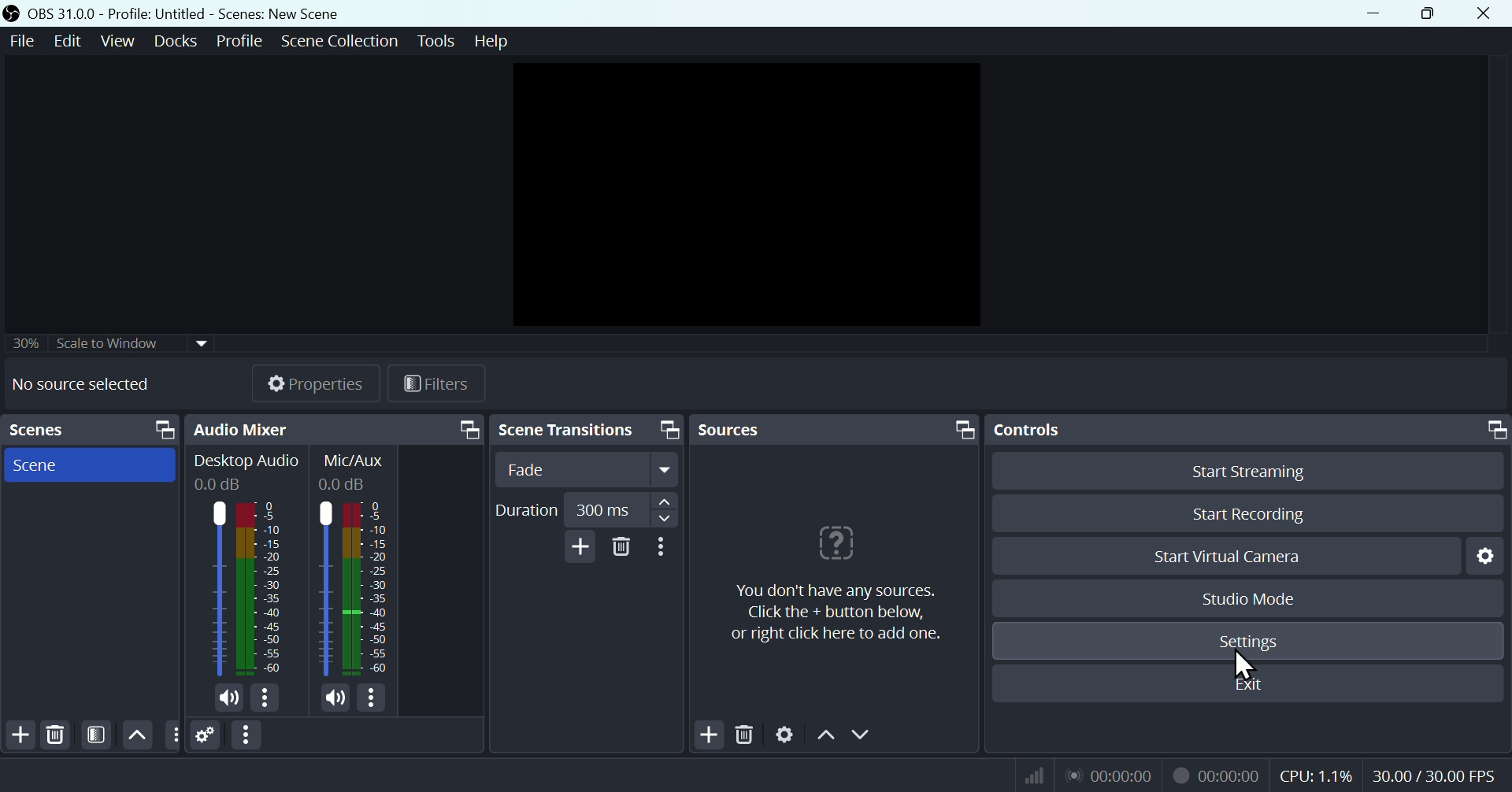 Image resolution: width=1512 pixels, height=792 pixels. I want to click on Start recording, so click(1237, 516).